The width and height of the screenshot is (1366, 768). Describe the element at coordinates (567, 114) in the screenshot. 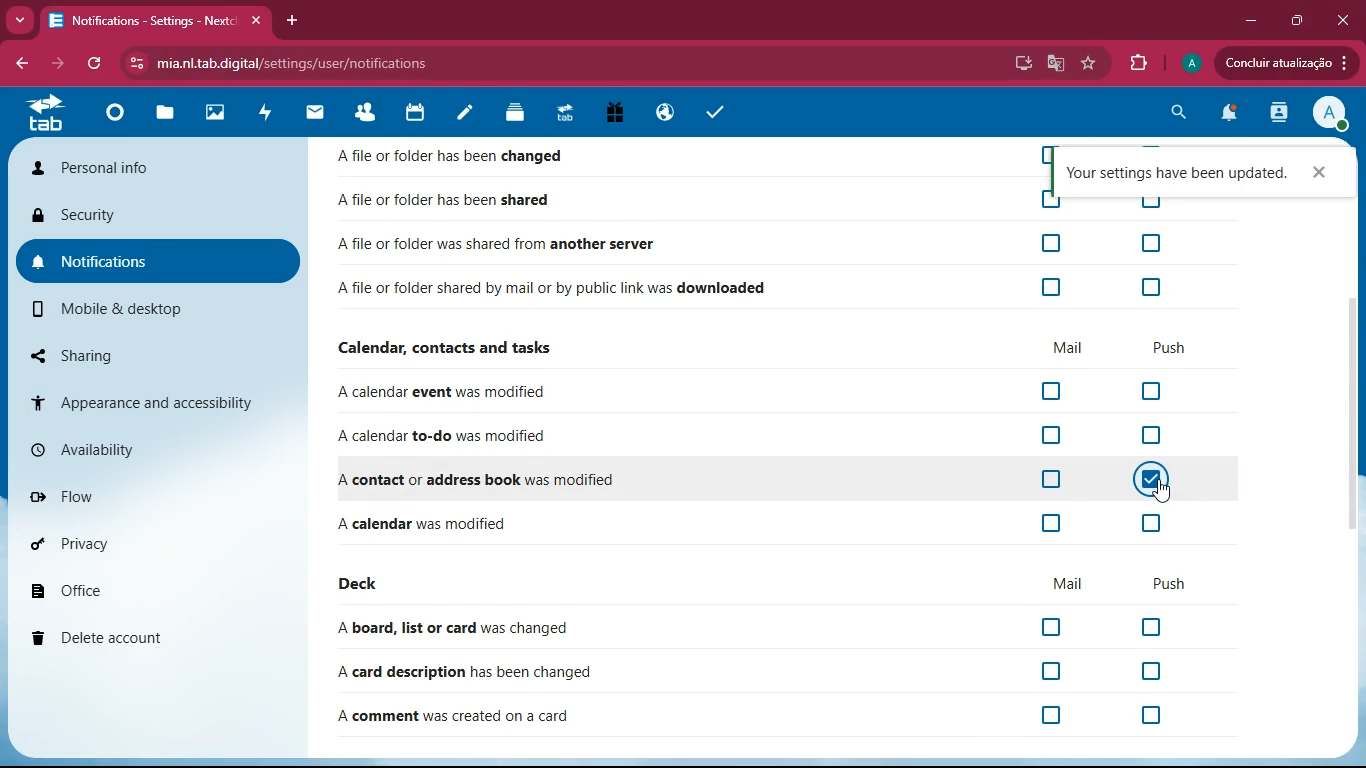

I see `tab` at that location.